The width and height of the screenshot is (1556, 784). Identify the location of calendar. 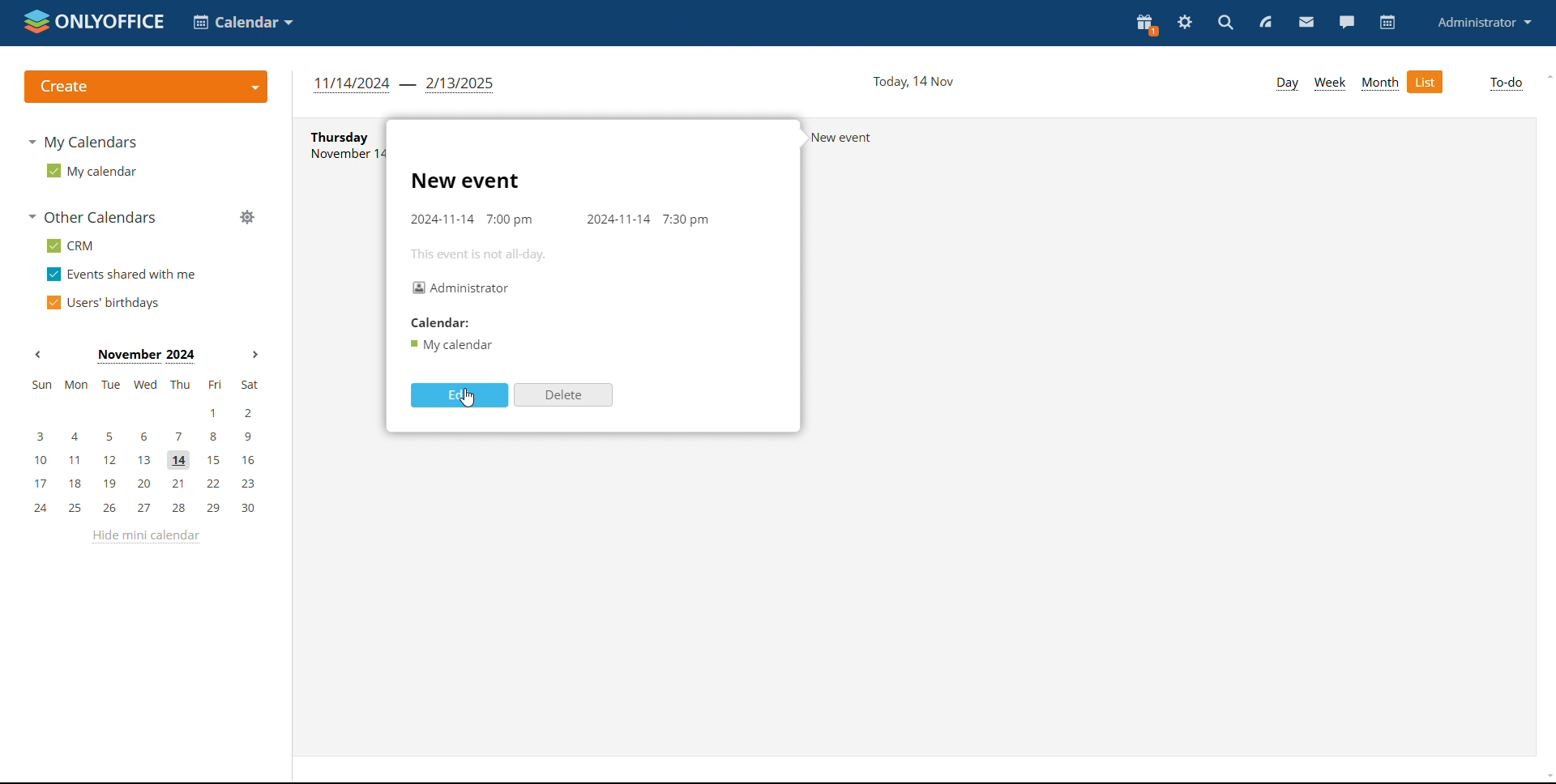
(452, 346).